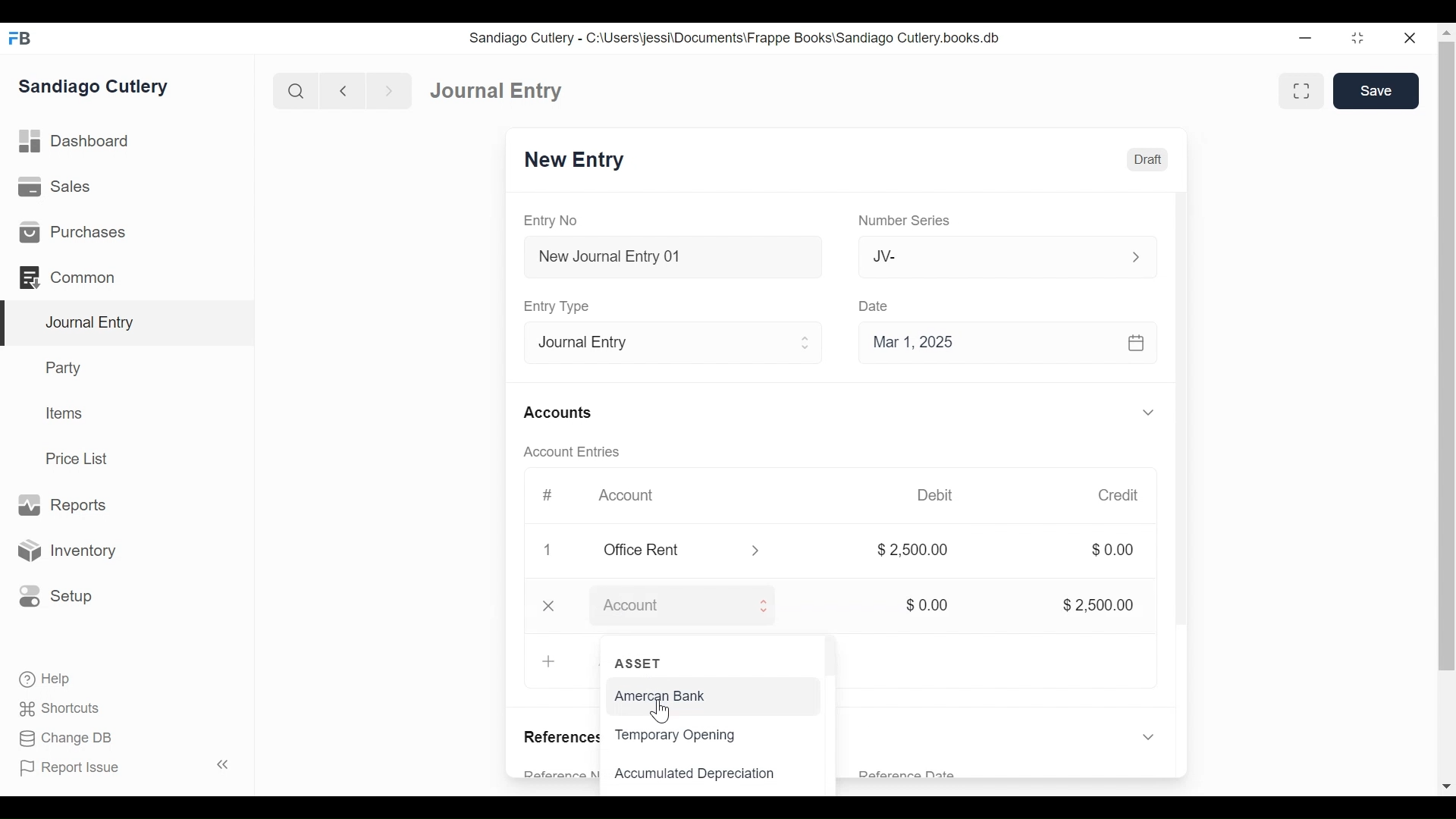  What do you see at coordinates (709, 700) in the screenshot?
I see `American Bank` at bounding box center [709, 700].